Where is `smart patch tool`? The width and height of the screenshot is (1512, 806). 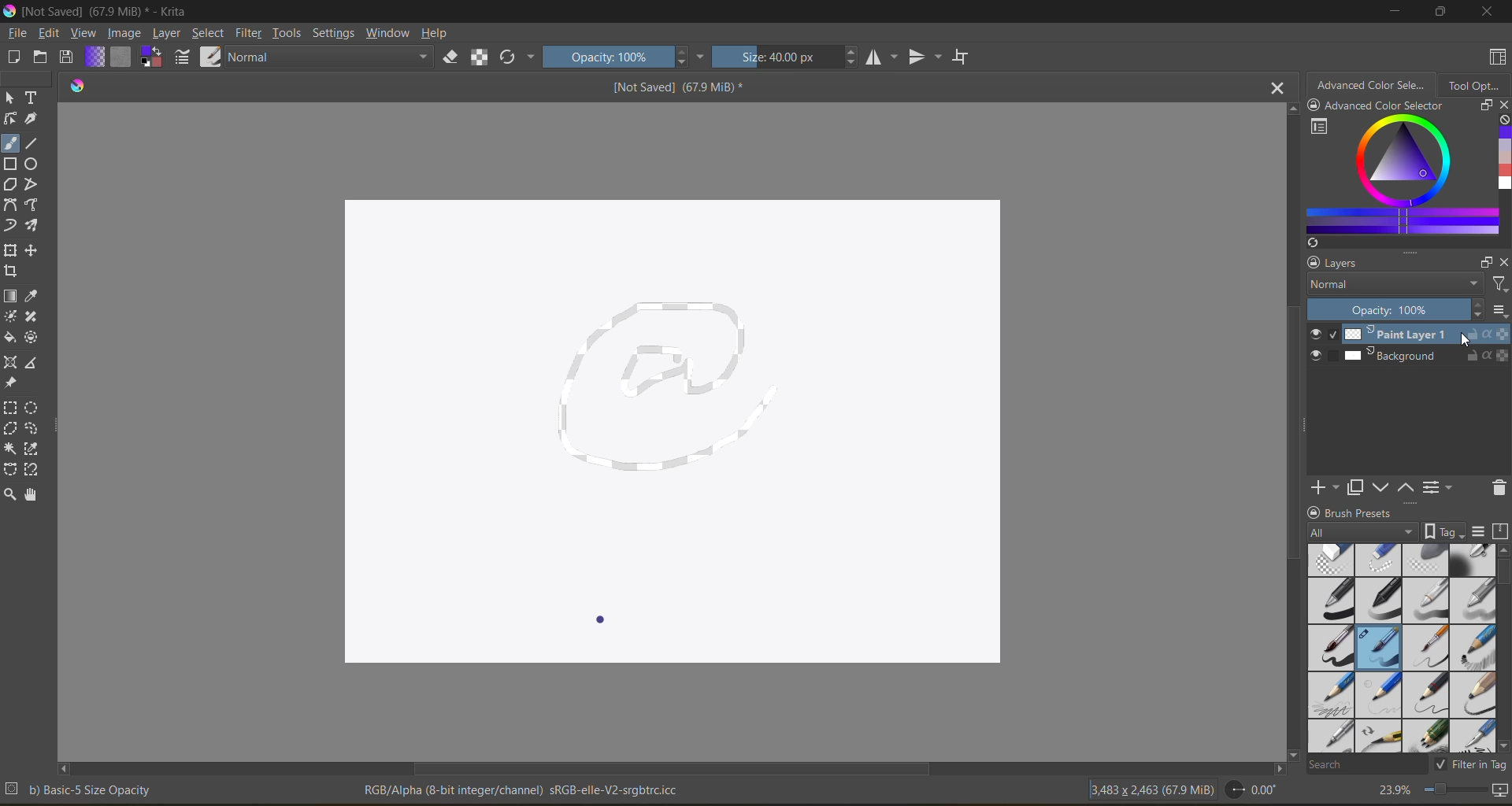 smart patch tool is located at coordinates (31, 317).